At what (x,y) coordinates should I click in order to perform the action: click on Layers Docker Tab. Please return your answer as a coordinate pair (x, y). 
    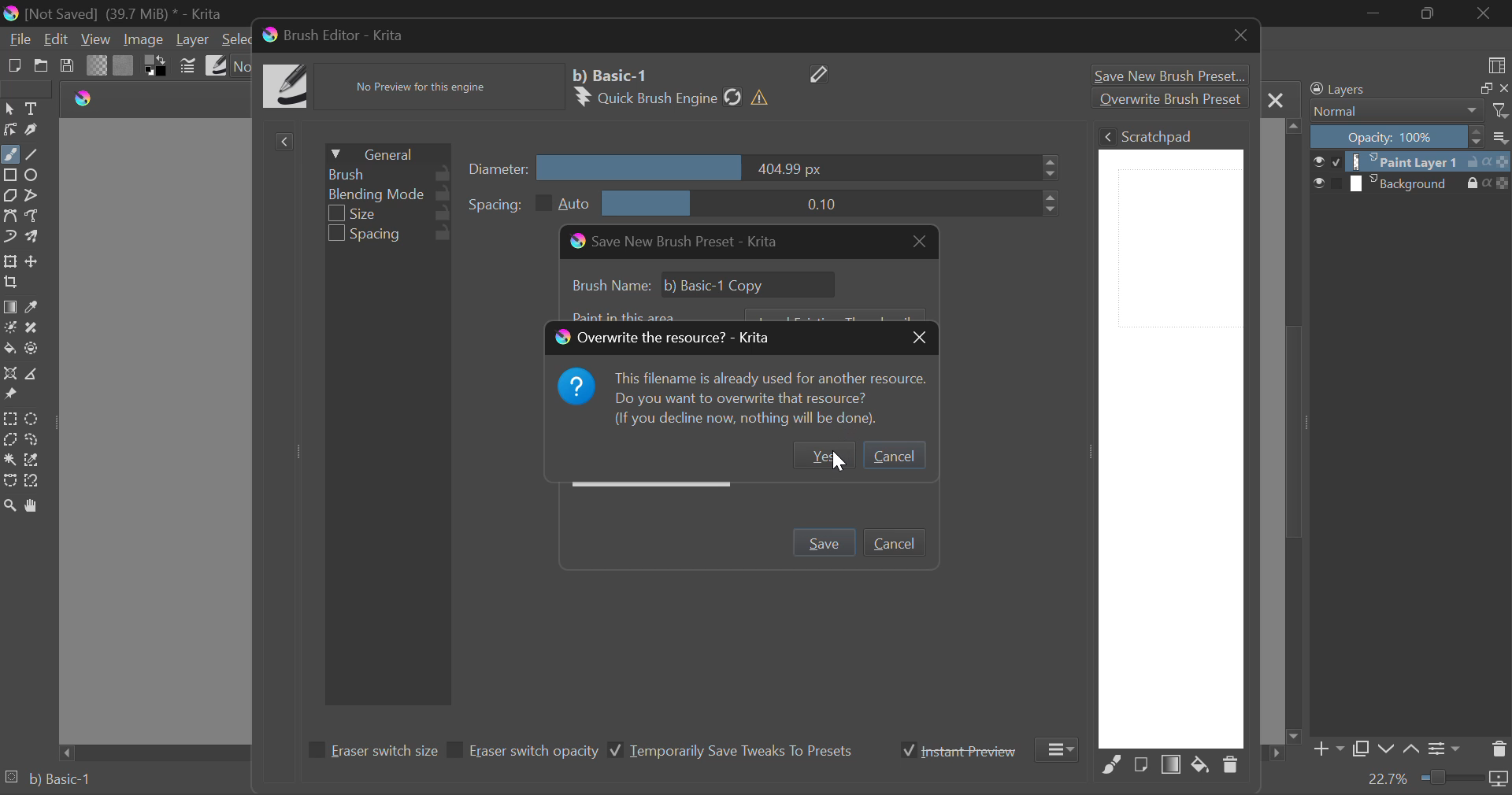
    Looking at the image, I should click on (1408, 89).